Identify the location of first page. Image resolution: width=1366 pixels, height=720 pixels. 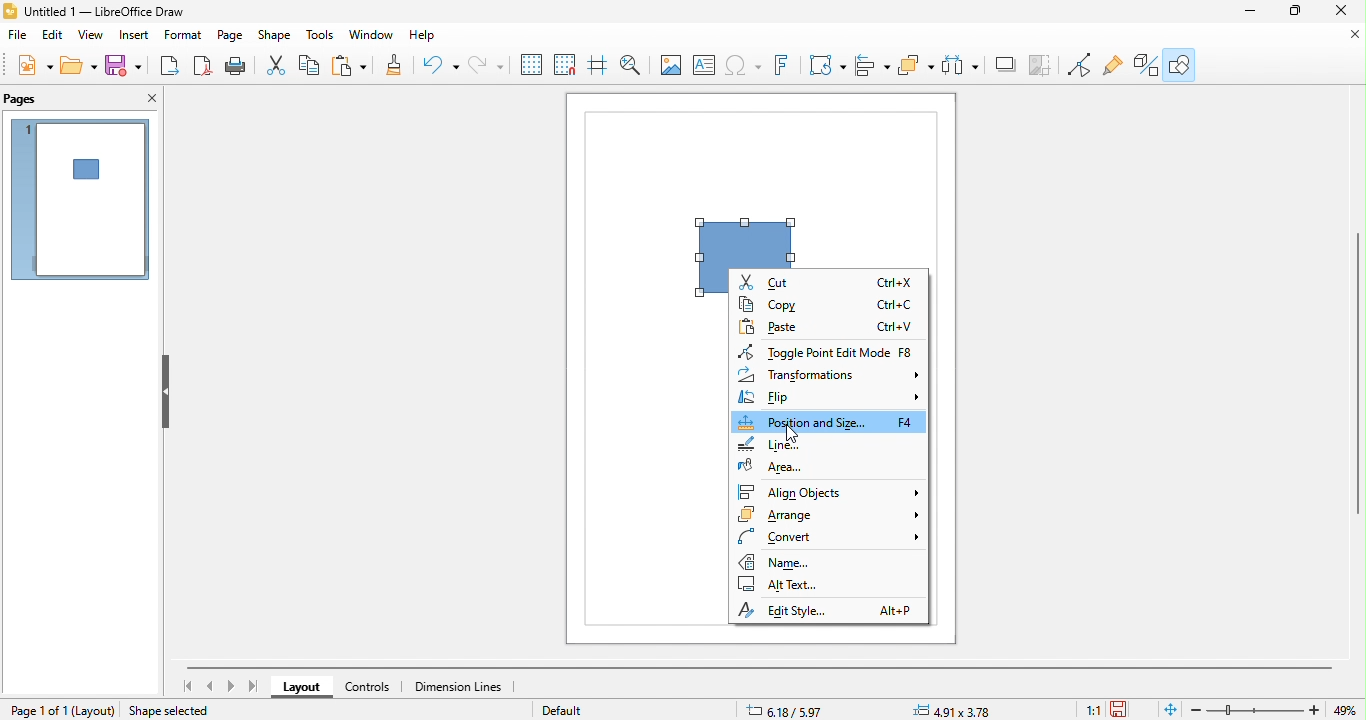
(187, 686).